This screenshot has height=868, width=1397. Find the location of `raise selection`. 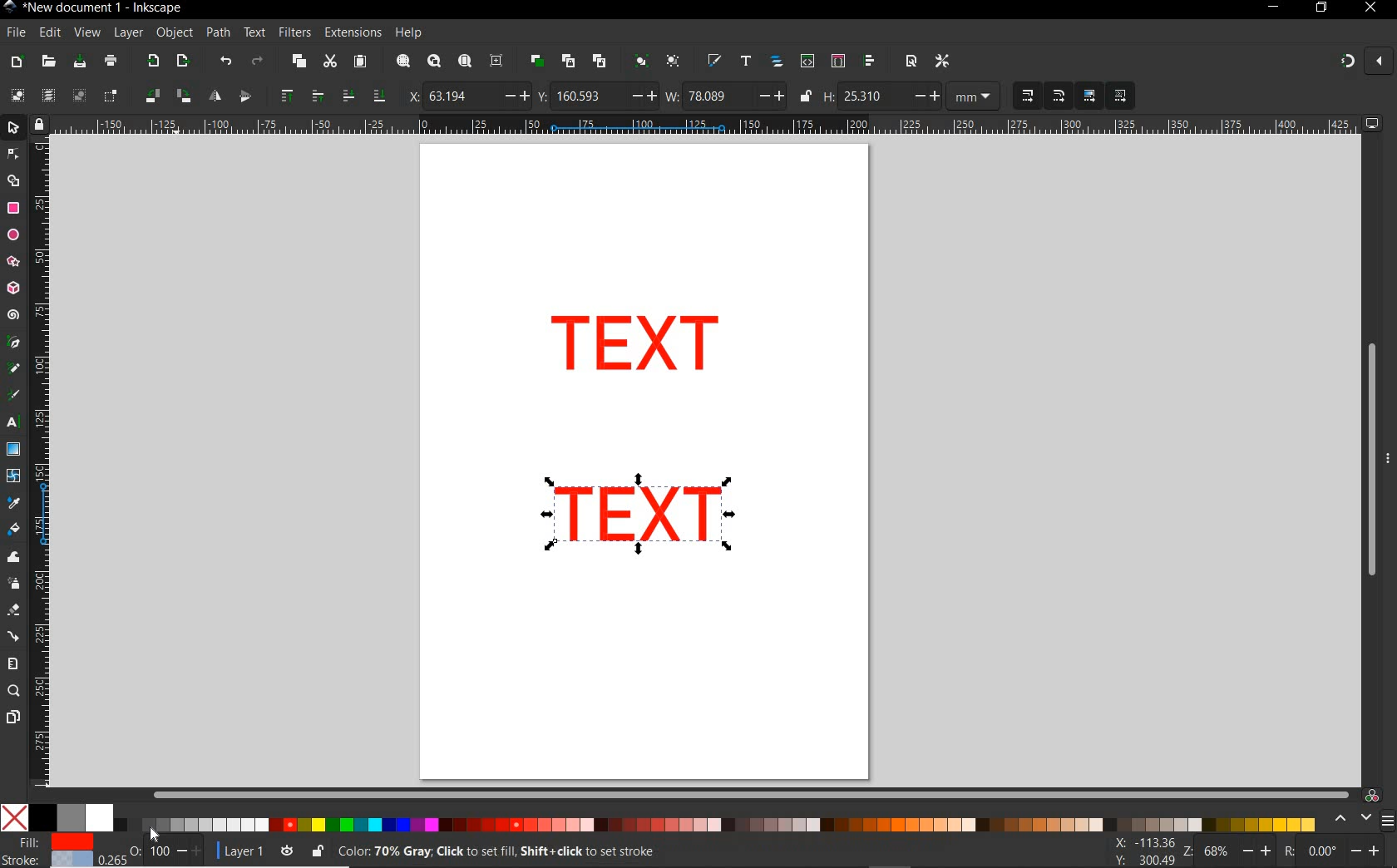

raise selection is located at coordinates (299, 96).